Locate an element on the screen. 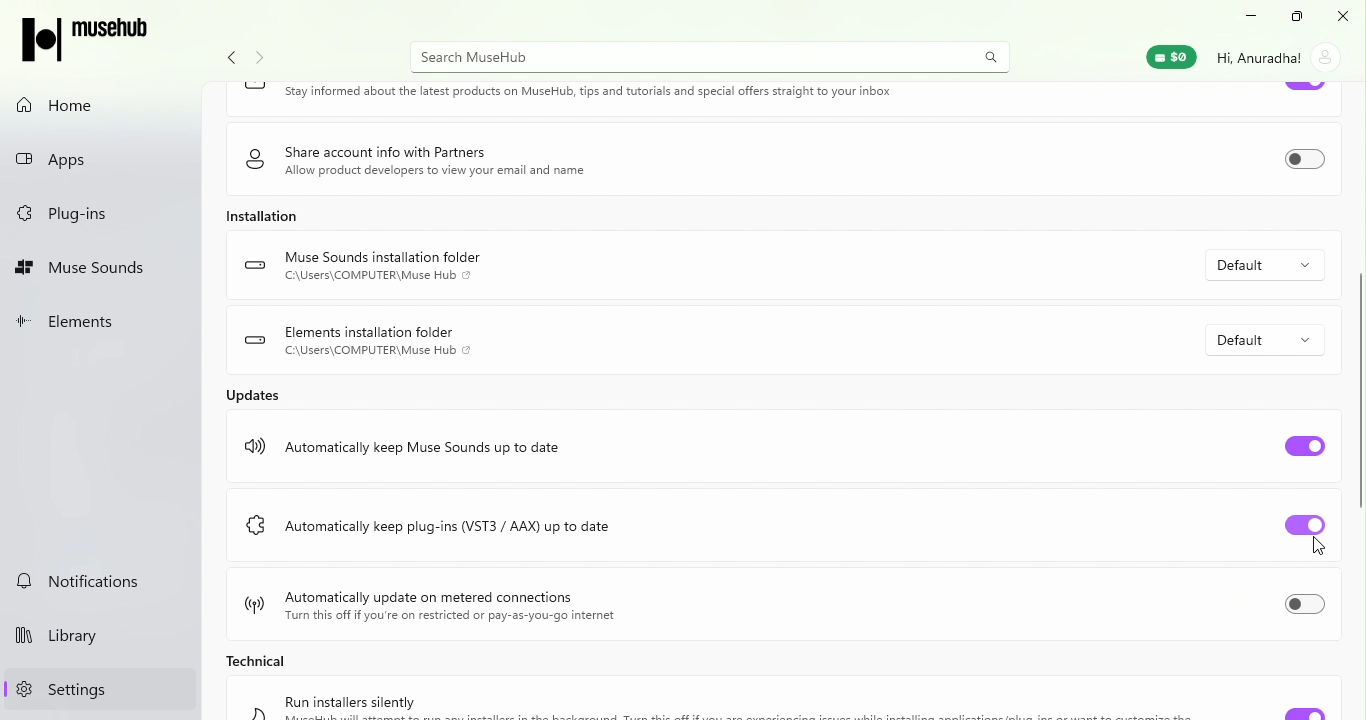 The height and width of the screenshot is (720, 1366). Toggle is located at coordinates (1306, 523).